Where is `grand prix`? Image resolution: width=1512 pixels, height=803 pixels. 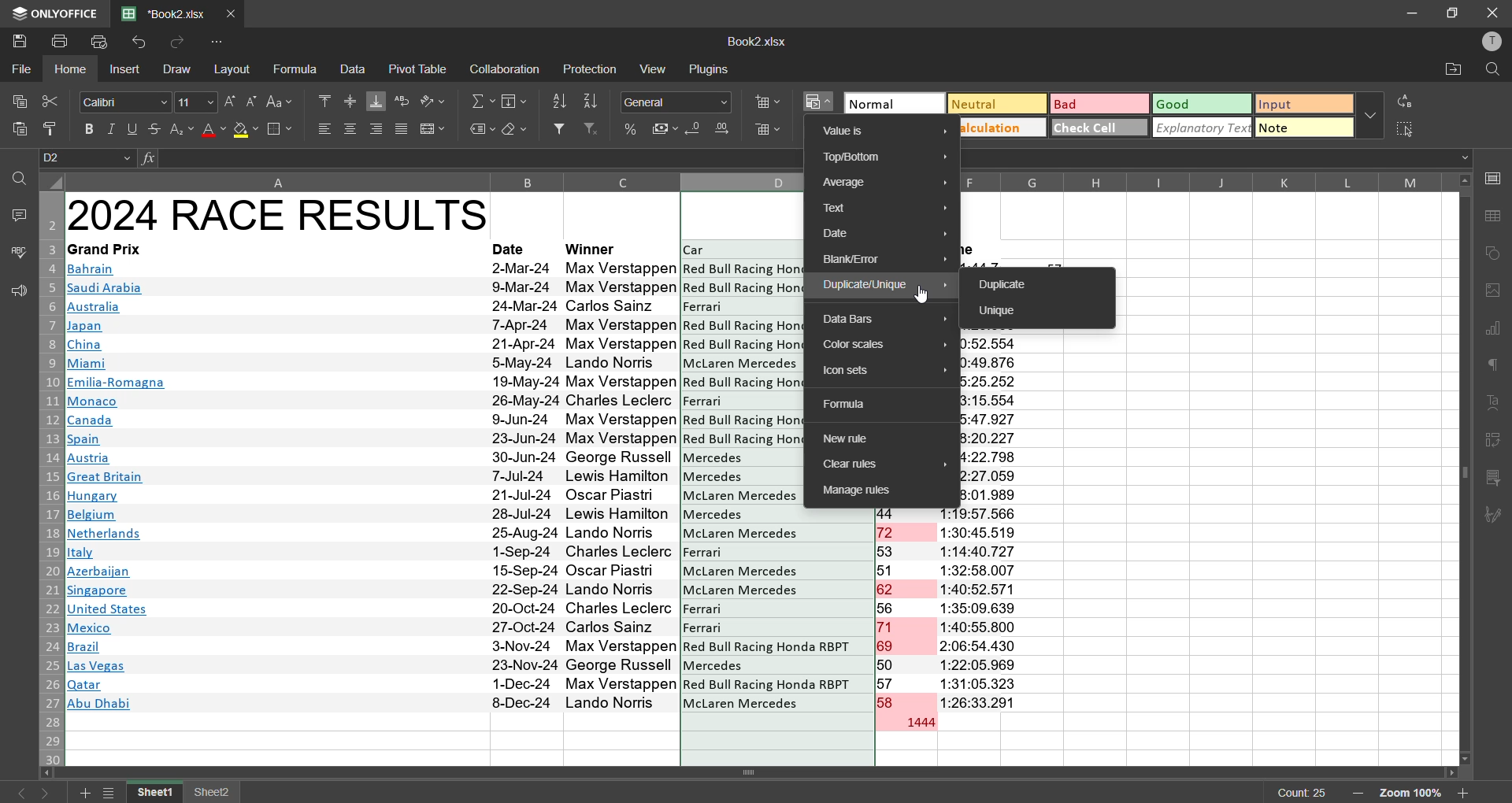
grand prix is located at coordinates (104, 249).